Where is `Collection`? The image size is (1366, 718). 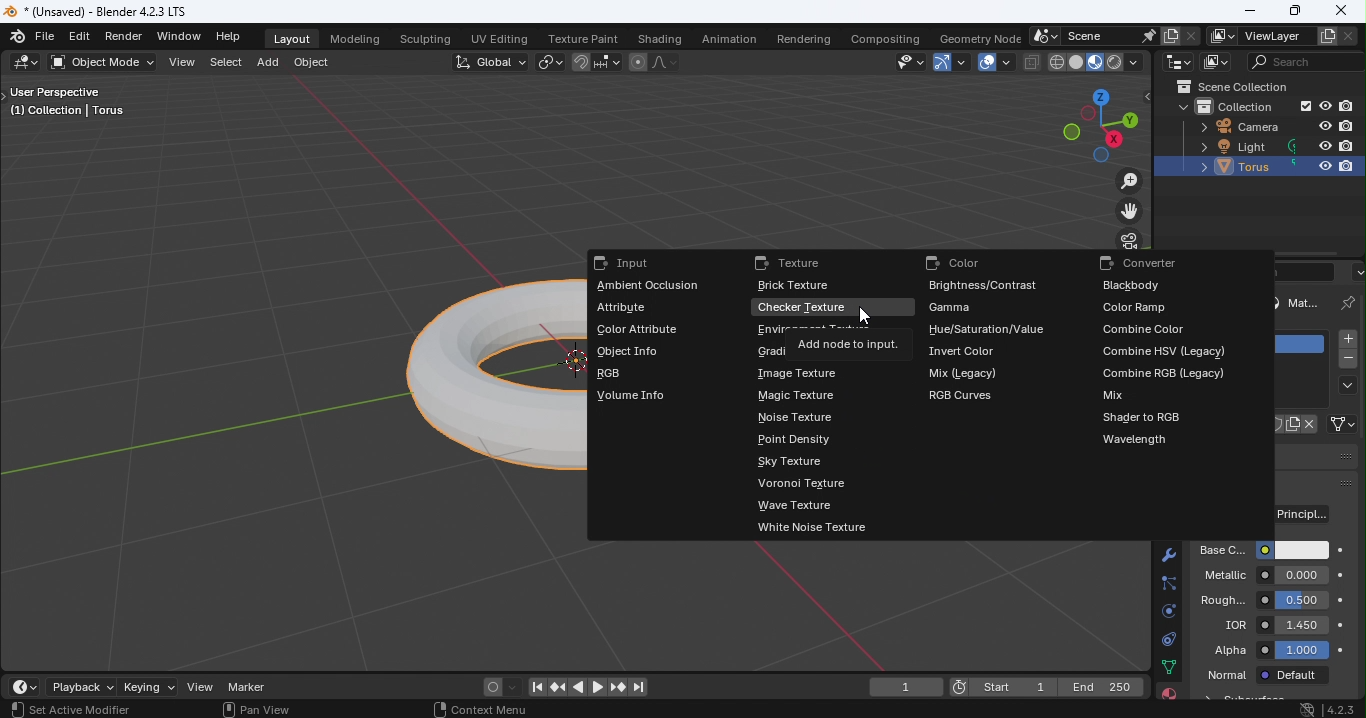 Collection is located at coordinates (1234, 105).